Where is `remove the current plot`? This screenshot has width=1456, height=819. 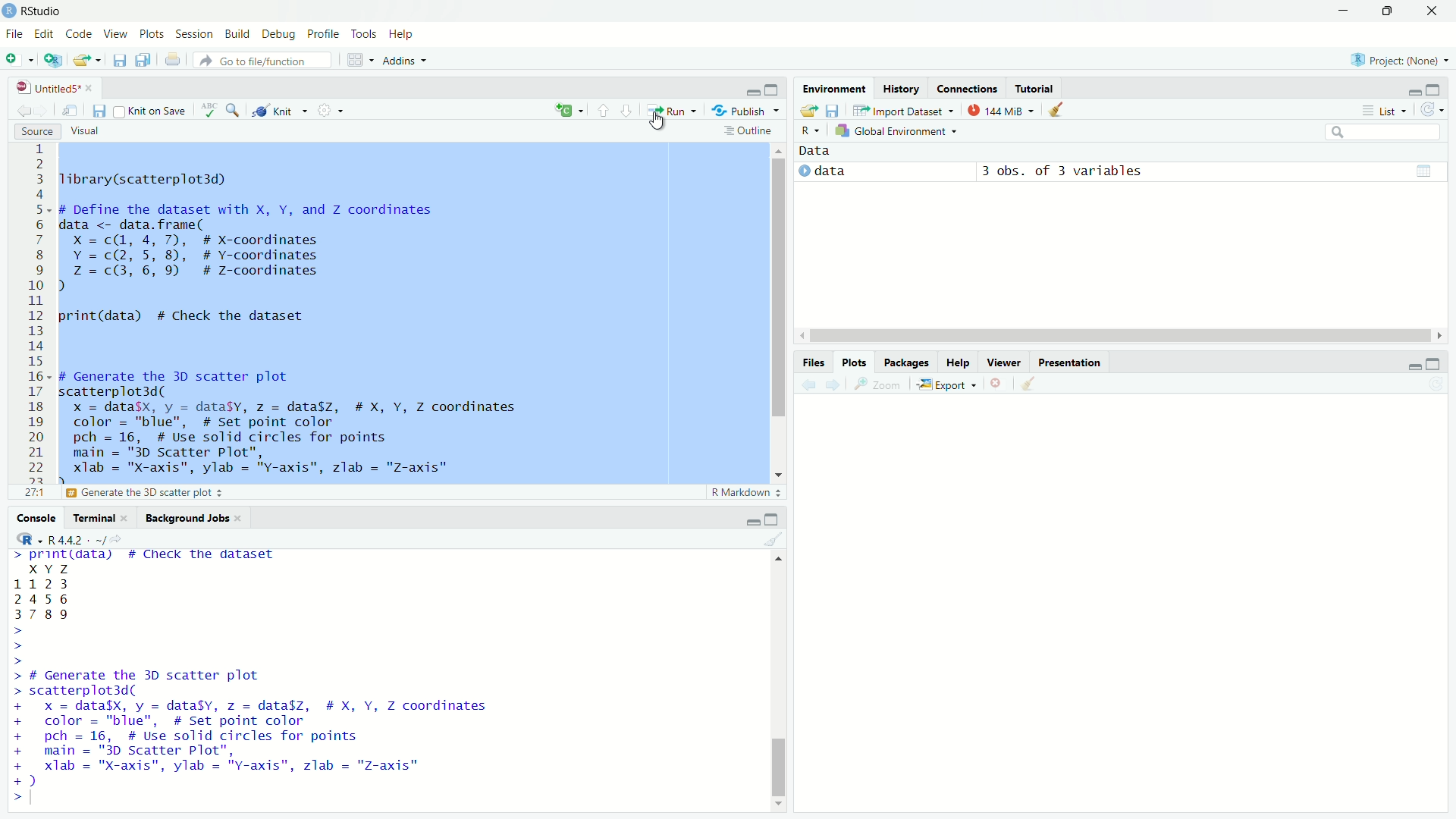 remove the current plot is located at coordinates (995, 384).